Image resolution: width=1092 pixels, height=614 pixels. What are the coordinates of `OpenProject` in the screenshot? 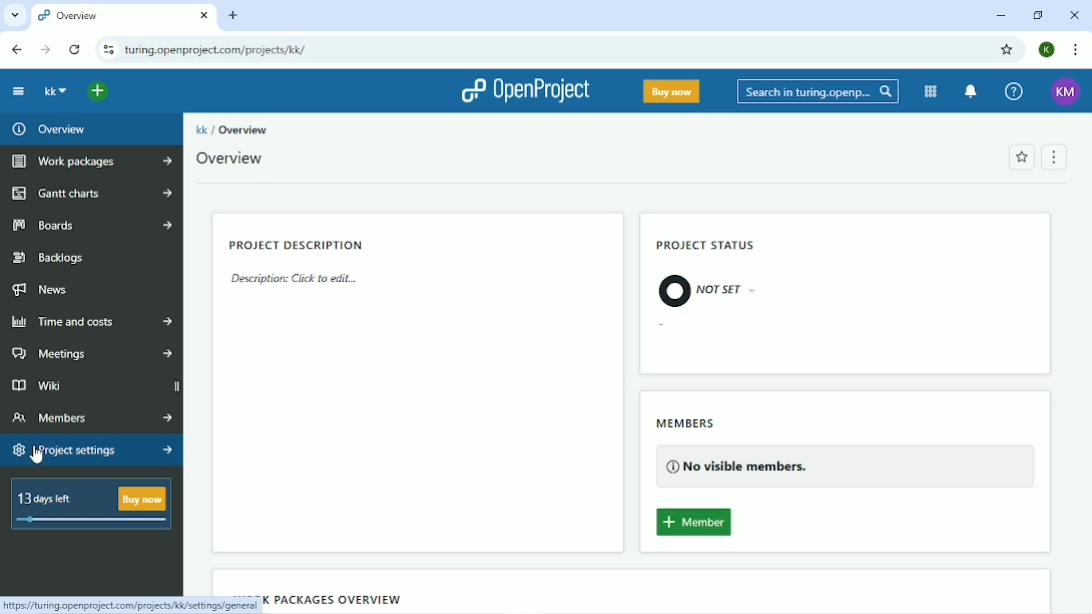 It's located at (526, 91).